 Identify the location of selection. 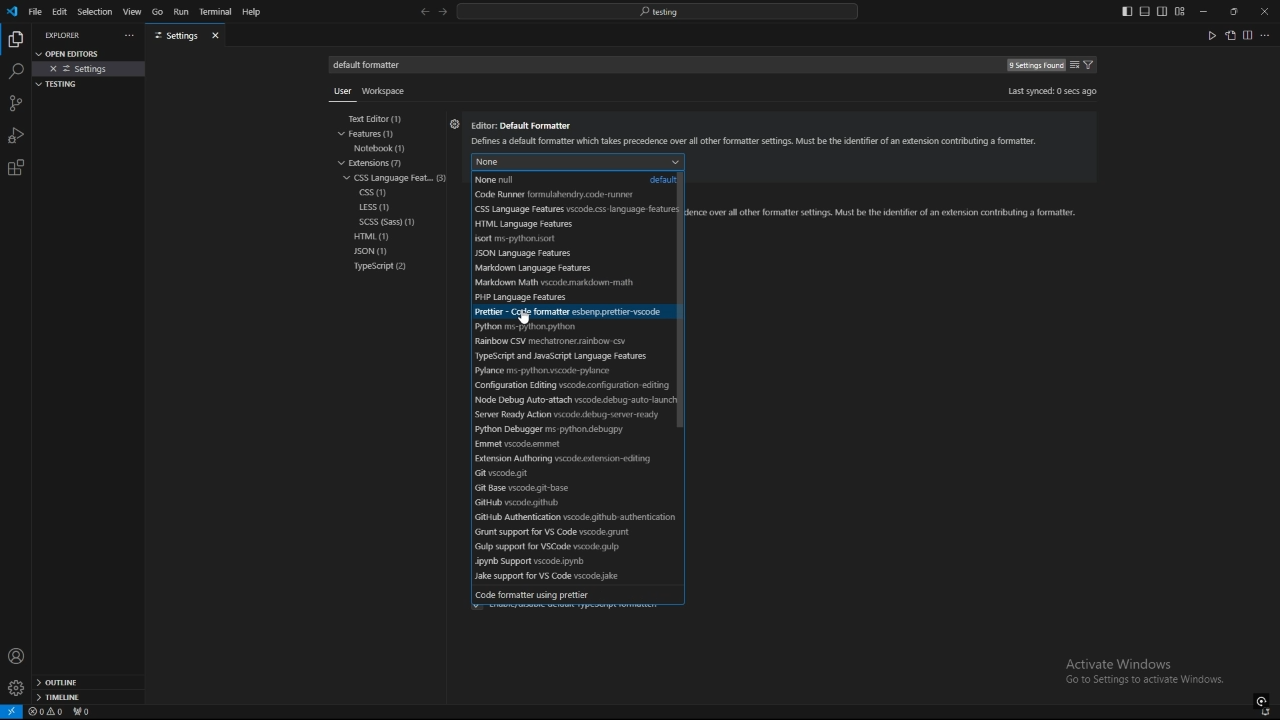
(94, 12).